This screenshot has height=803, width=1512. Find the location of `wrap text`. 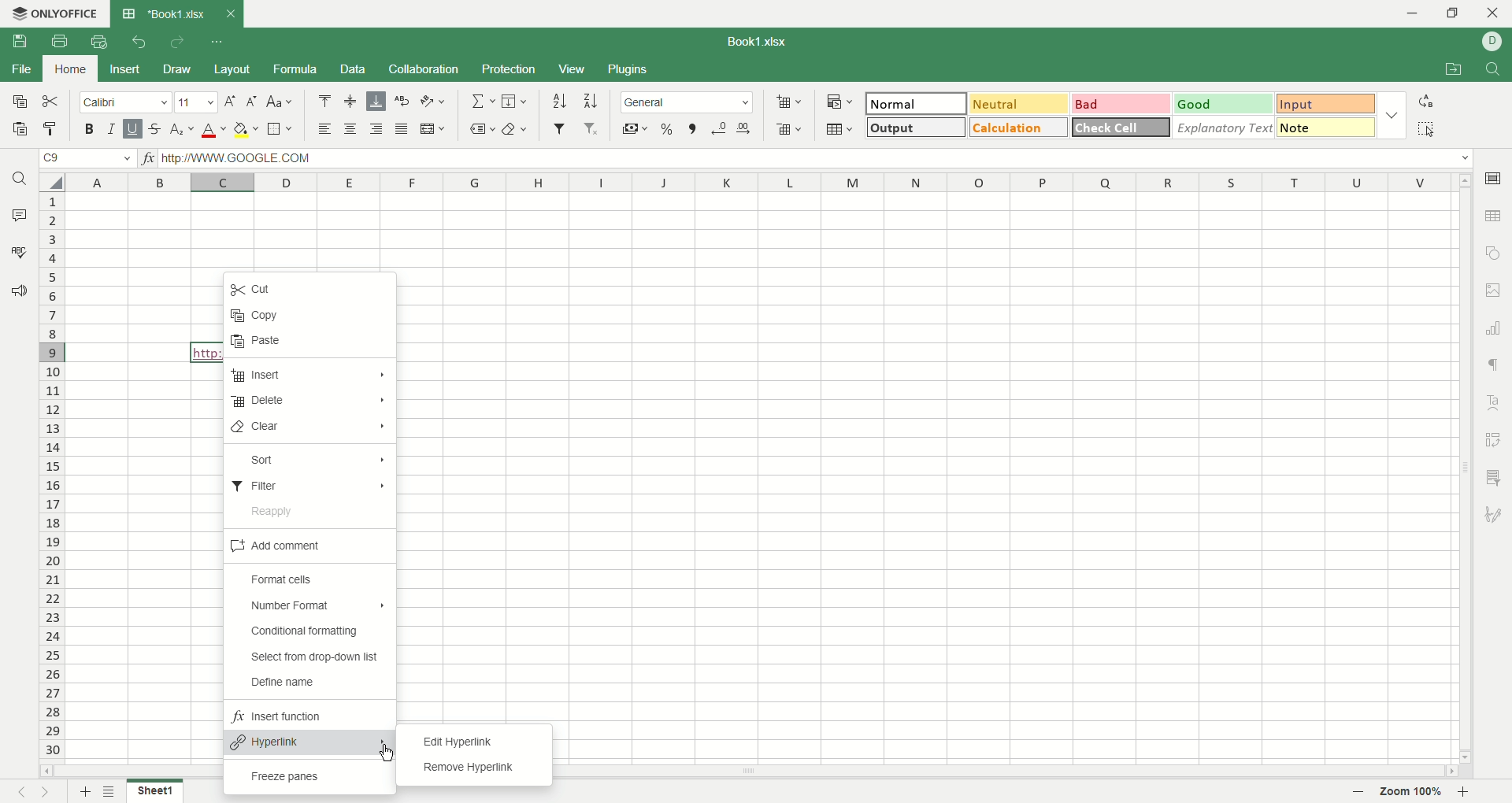

wrap text is located at coordinates (402, 99).